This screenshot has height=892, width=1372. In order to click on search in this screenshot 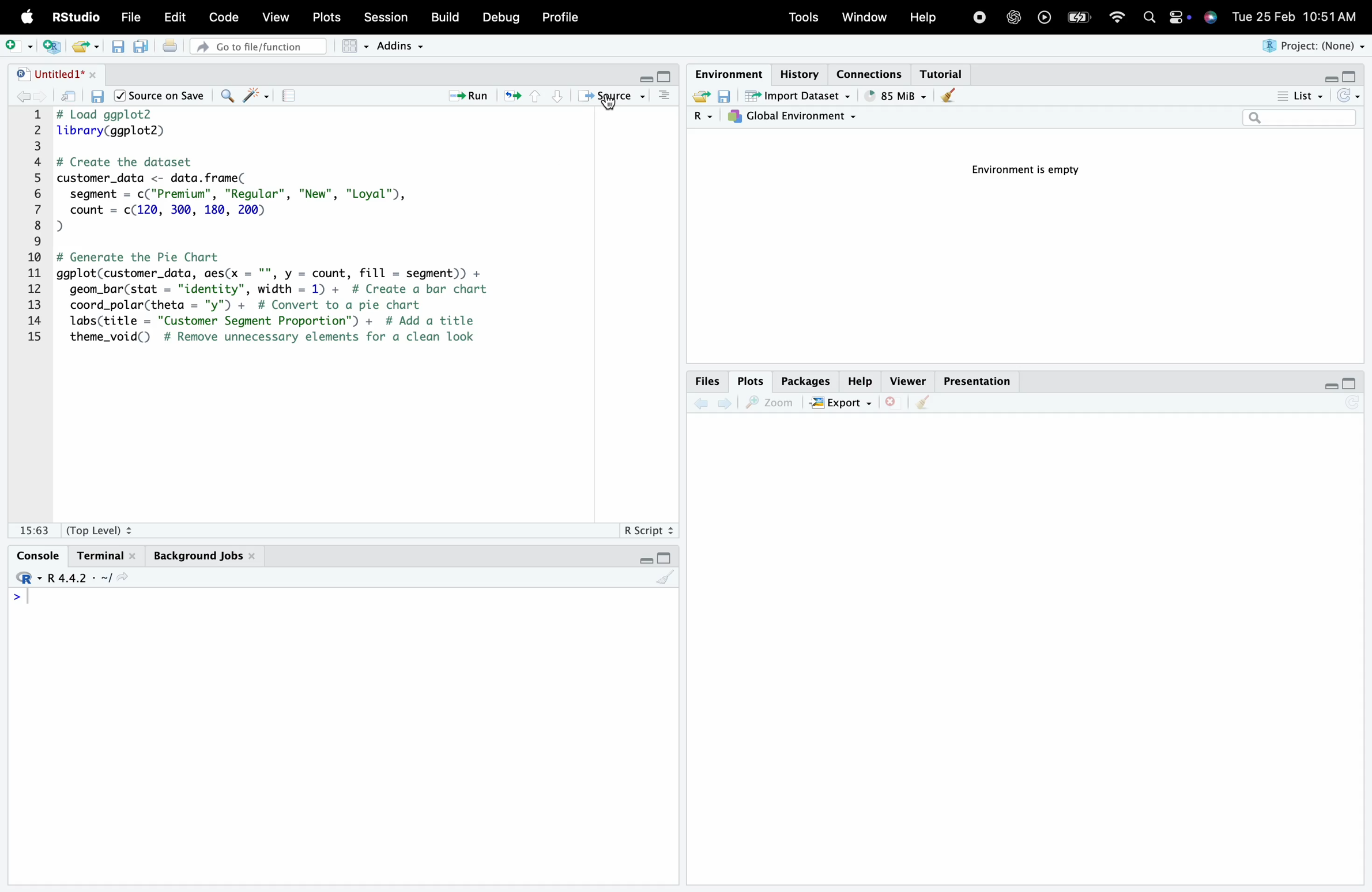, I will do `click(228, 98)`.